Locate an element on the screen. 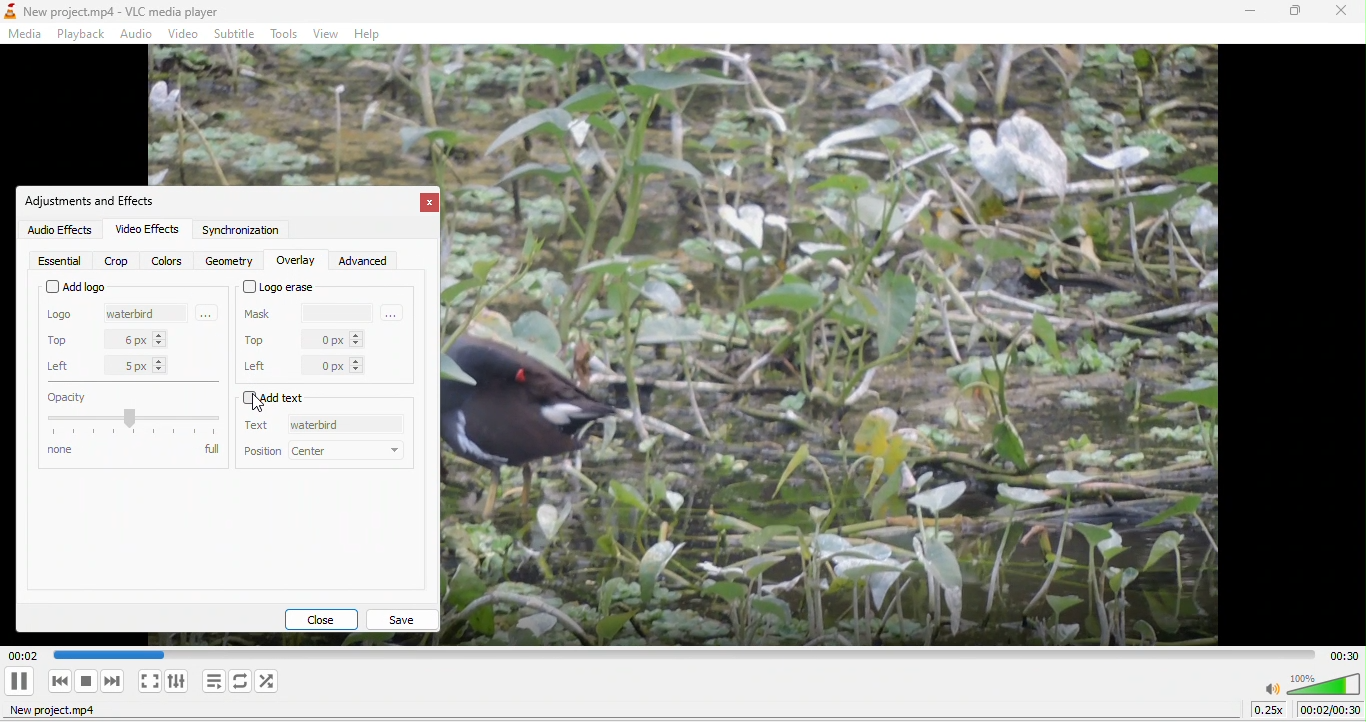  next media is located at coordinates (115, 681).